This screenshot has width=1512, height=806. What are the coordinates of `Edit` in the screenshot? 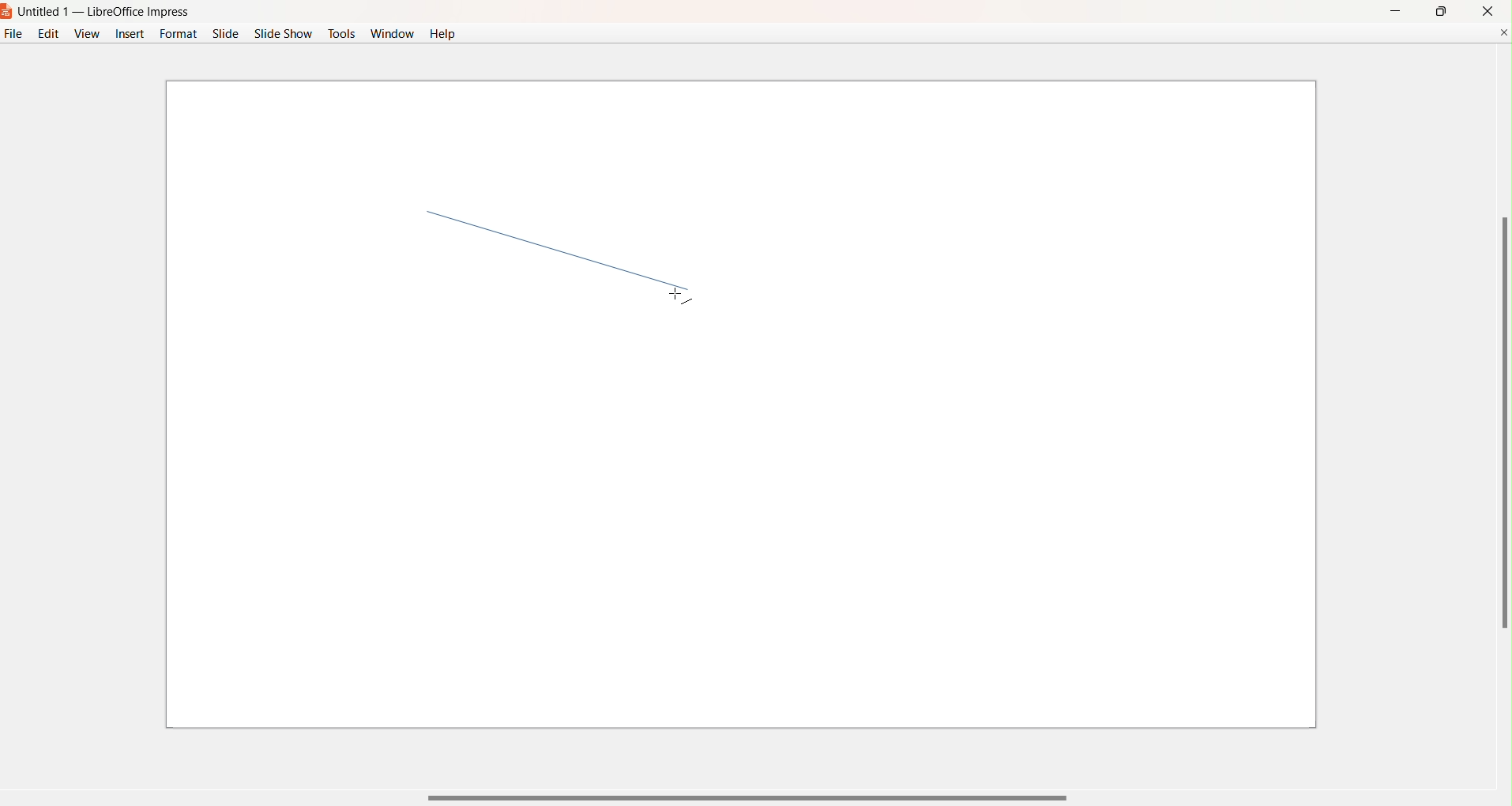 It's located at (48, 33).